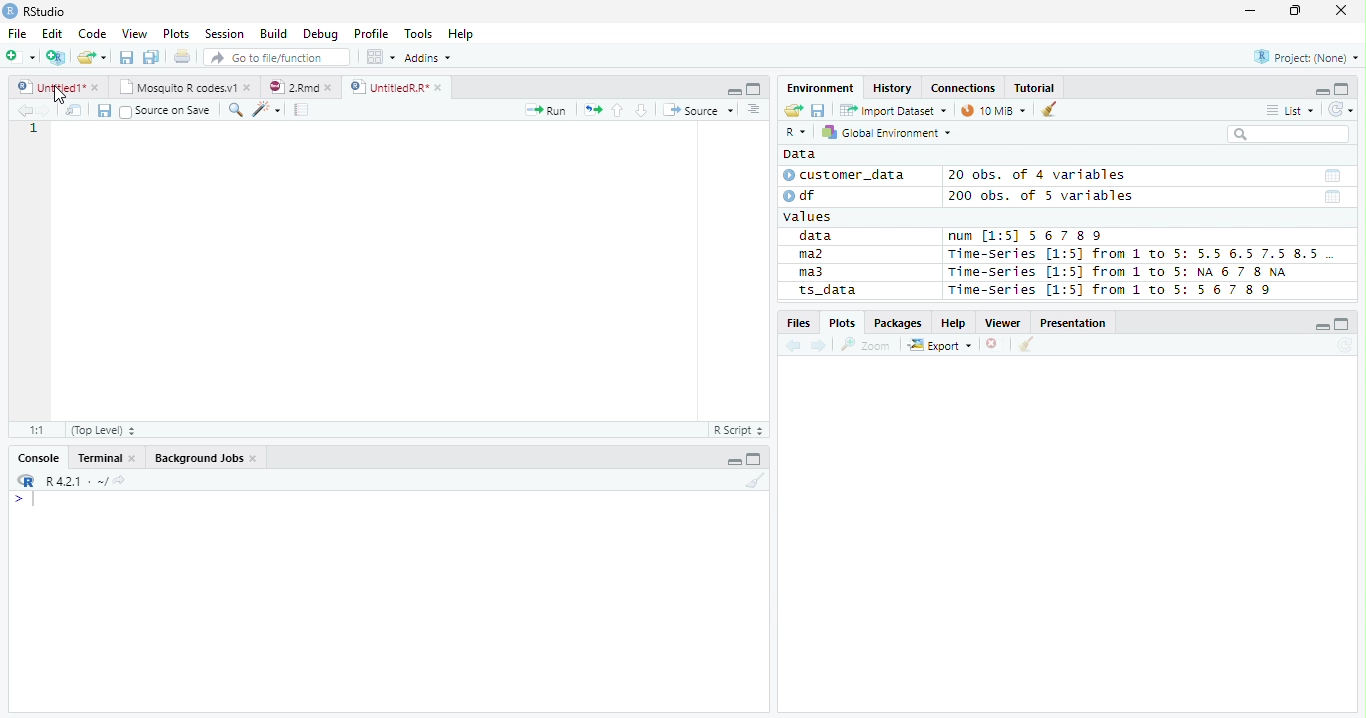 Image resolution: width=1366 pixels, height=718 pixels. Describe the element at coordinates (1343, 89) in the screenshot. I see `Maximize` at that location.